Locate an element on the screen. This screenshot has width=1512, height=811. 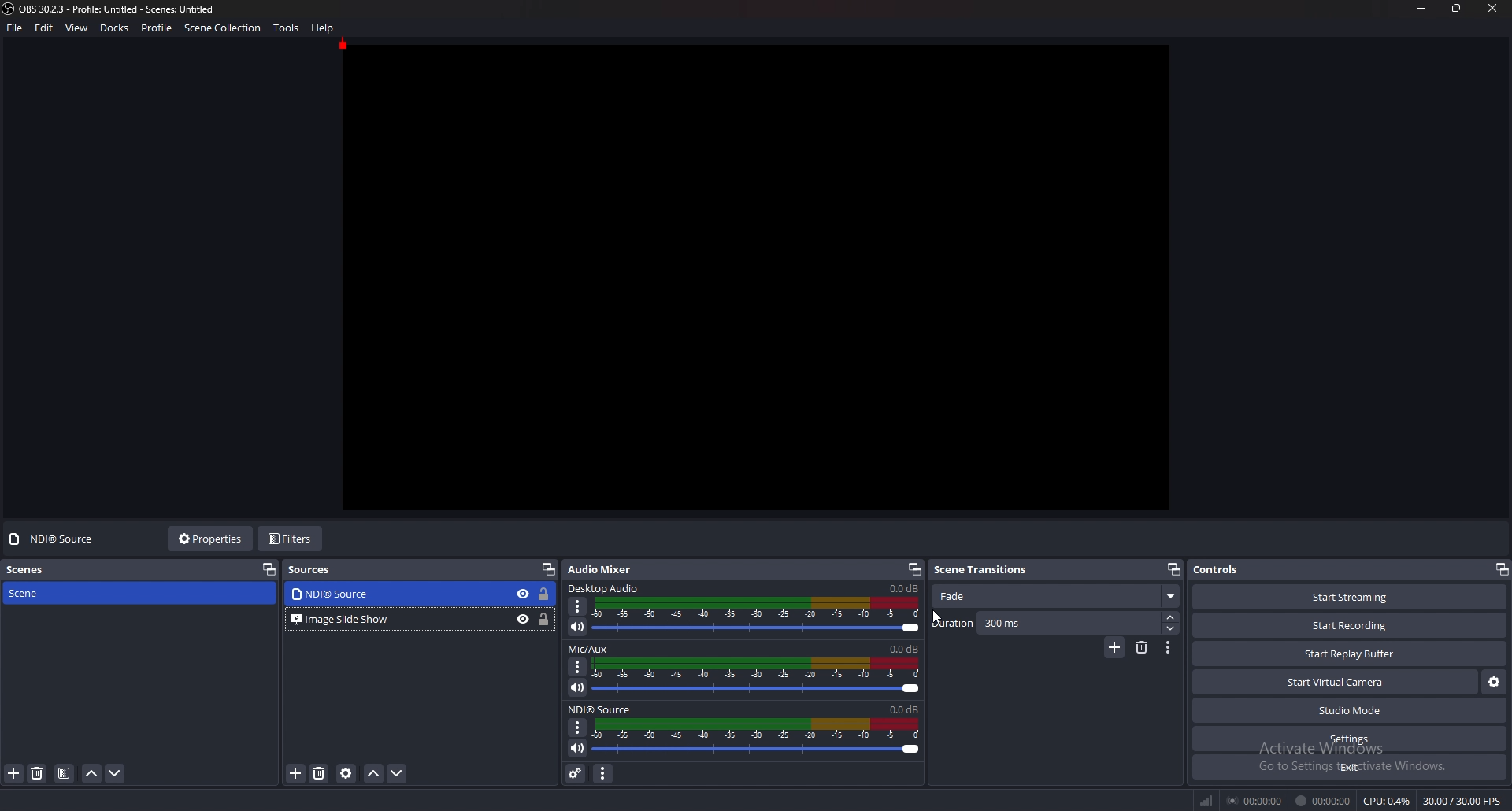
studio mode is located at coordinates (1349, 710).